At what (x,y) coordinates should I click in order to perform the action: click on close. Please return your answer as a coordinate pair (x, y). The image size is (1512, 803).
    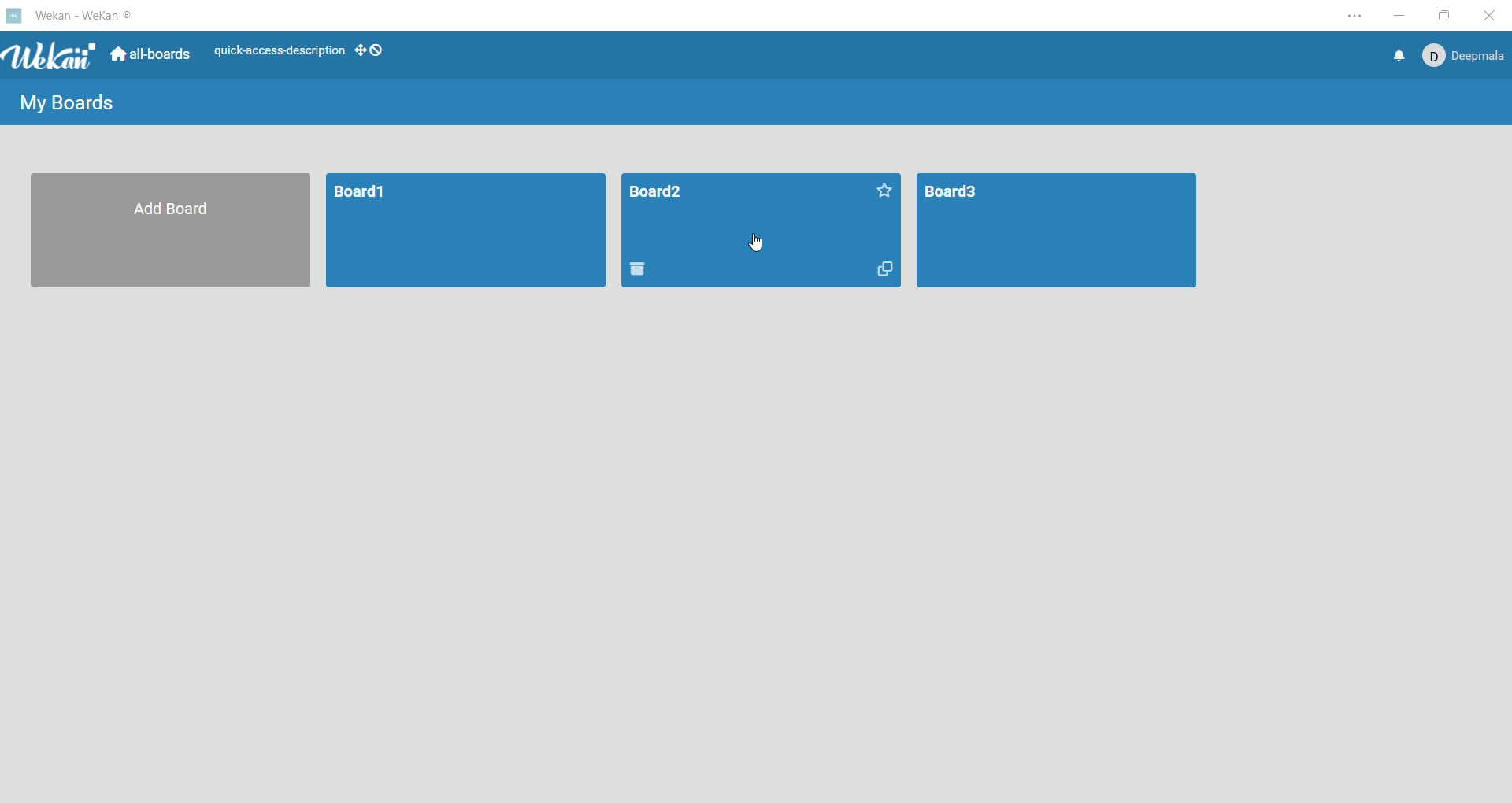
    Looking at the image, I should click on (1488, 18).